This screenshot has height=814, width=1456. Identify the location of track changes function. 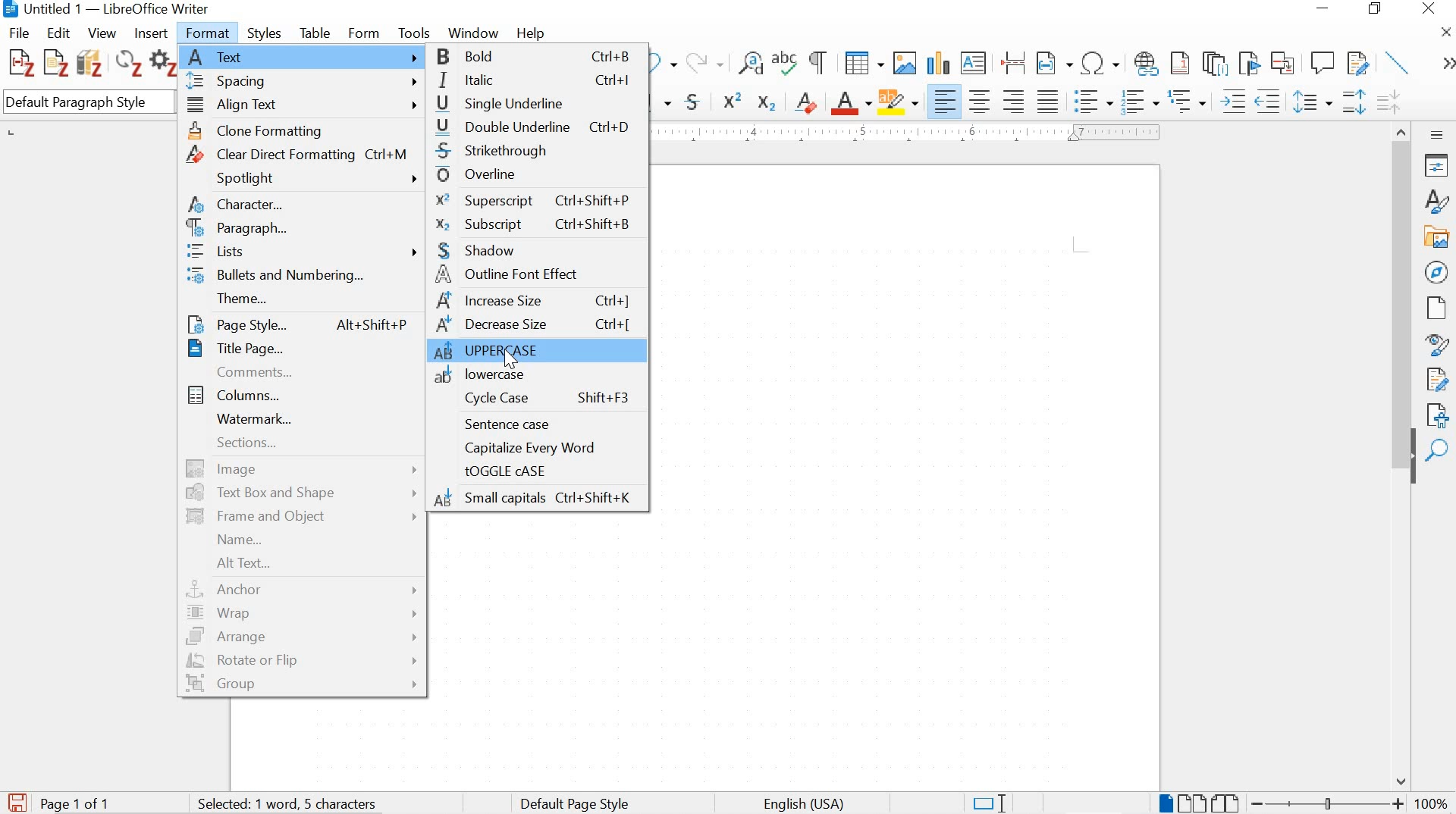
(1355, 61).